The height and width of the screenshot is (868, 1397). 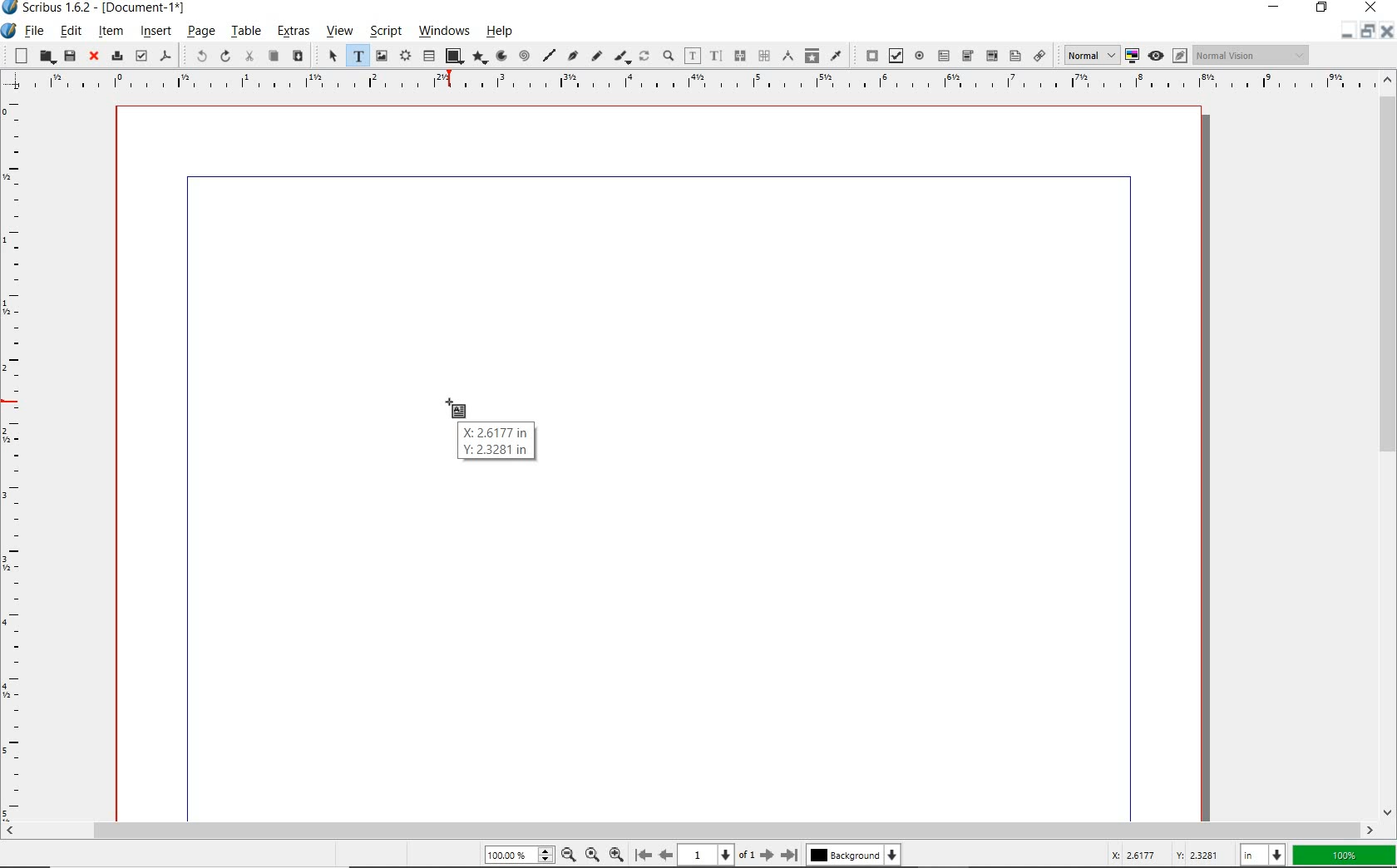 What do you see at coordinates (764, 57) in the screenshot?
I see `unlink text frames` at bounding box center [764, 57].